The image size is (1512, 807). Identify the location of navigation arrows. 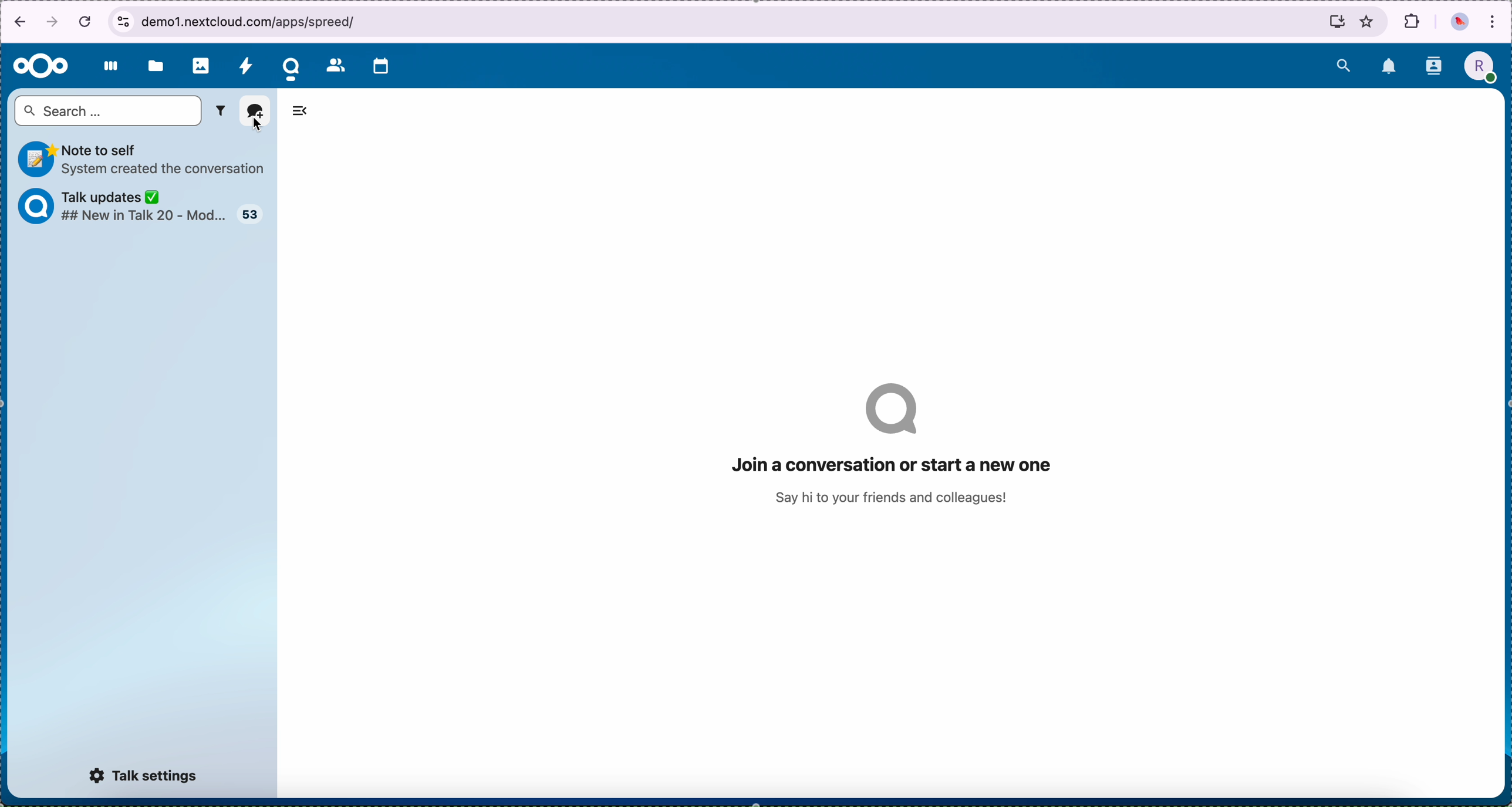
(33, 21).